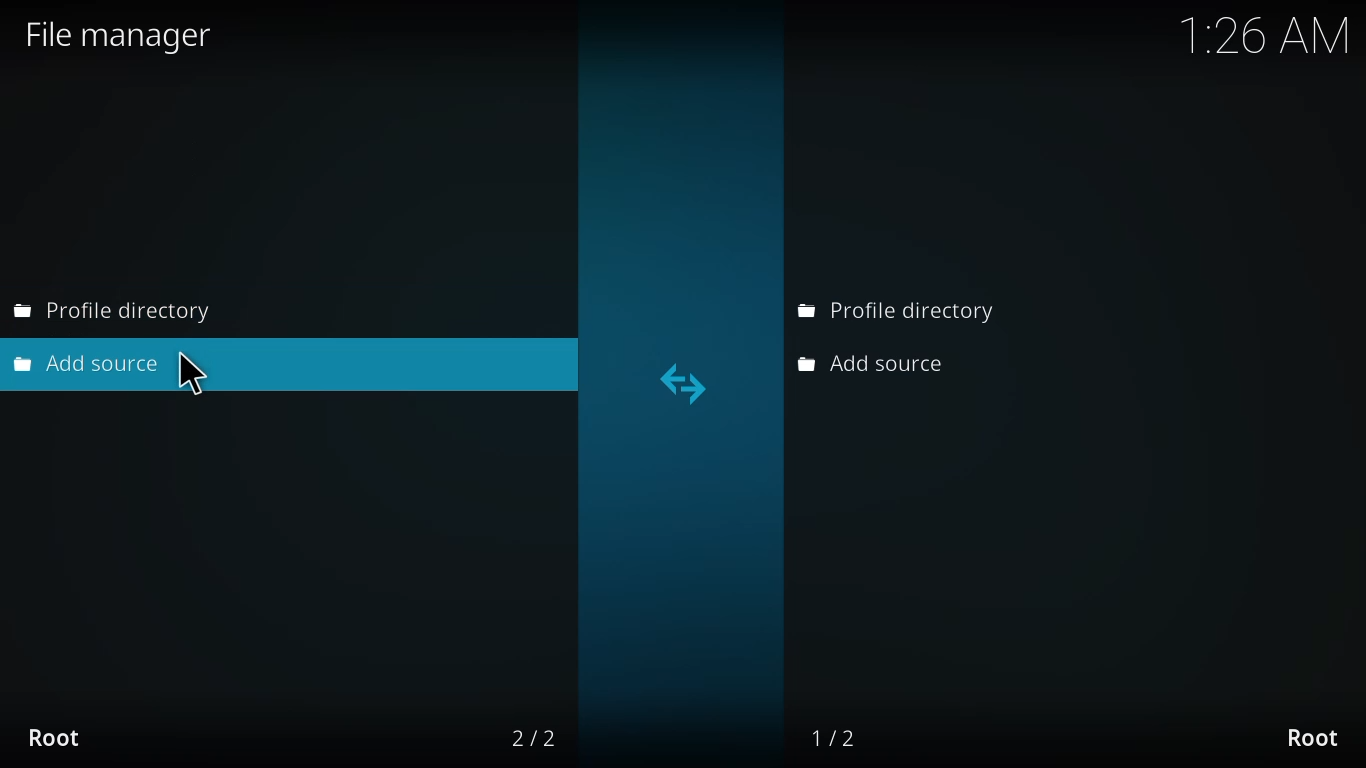 This screenshot has height=768, width=1366. What do you see at coordinates (55, 738) in the screenshot?
I see `root` at bounding box center [55, 738].